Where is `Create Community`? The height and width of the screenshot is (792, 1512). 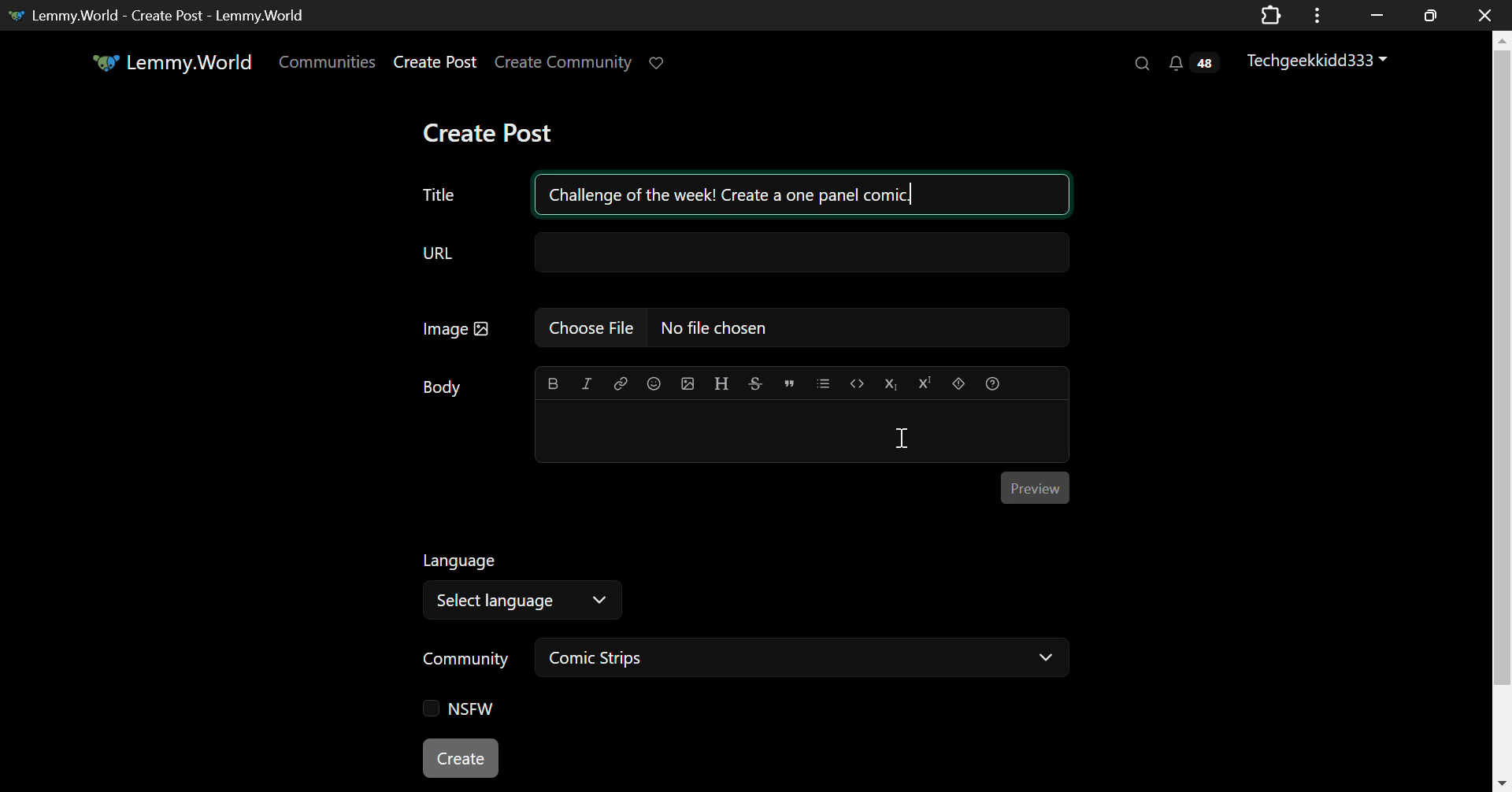
Create Community is located at coordinates (564, 63).